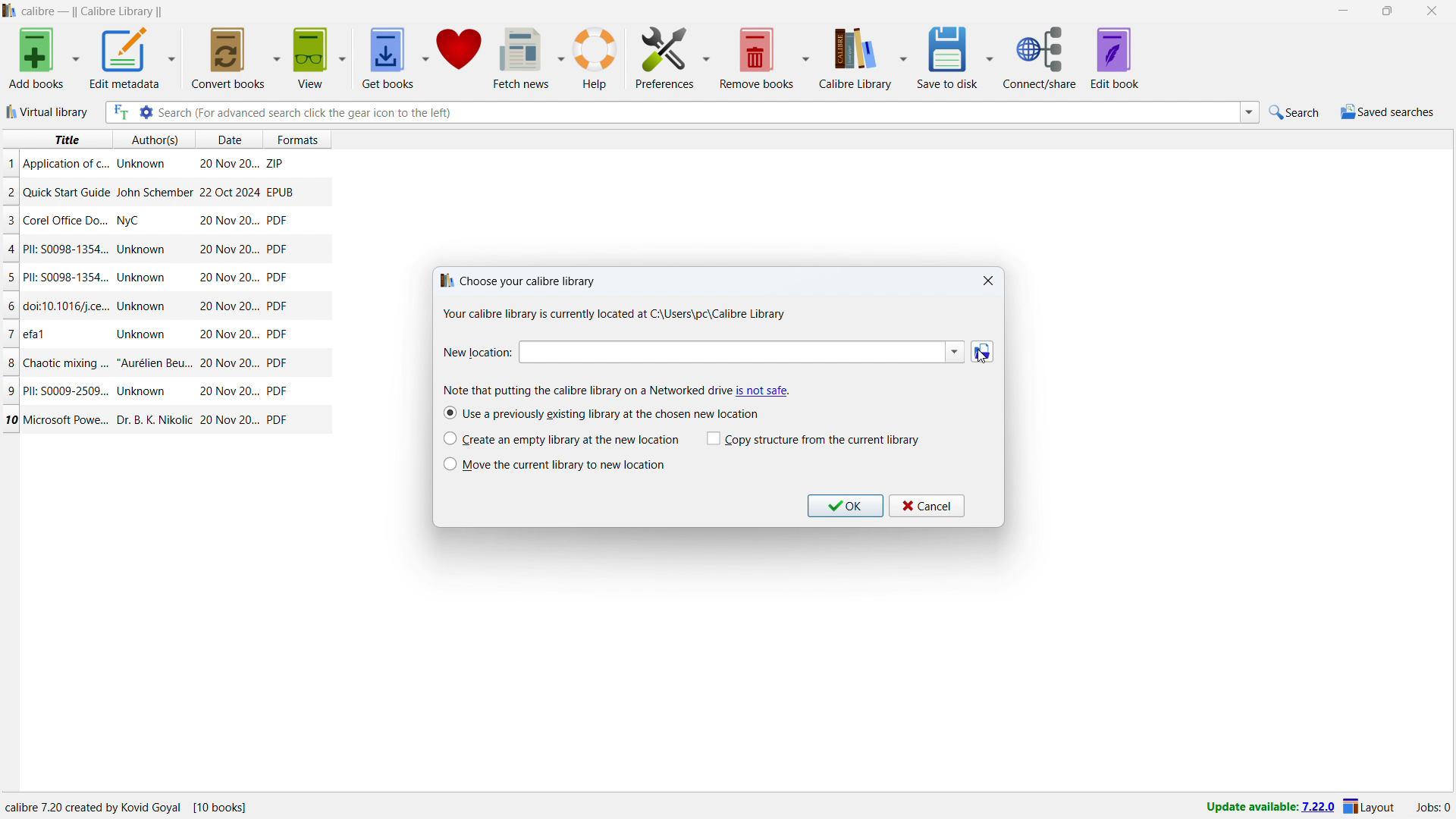  What do you see at coordinates (65, 164) in the screenshot?
I see `Title` at bounding box center [65, 164].